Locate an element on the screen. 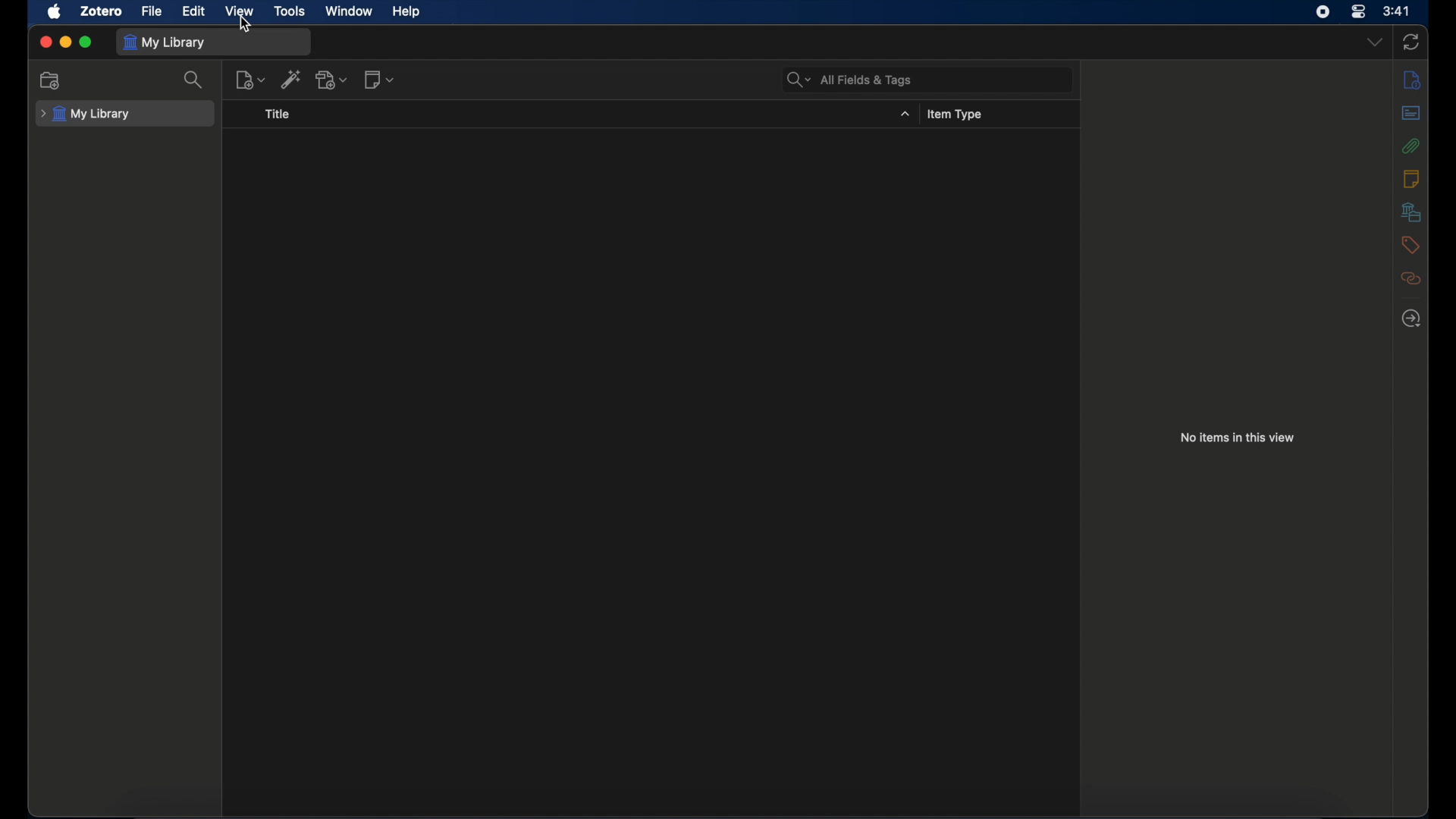 The image size is (1456, 819). zotero is located at coordinates (102, 10).